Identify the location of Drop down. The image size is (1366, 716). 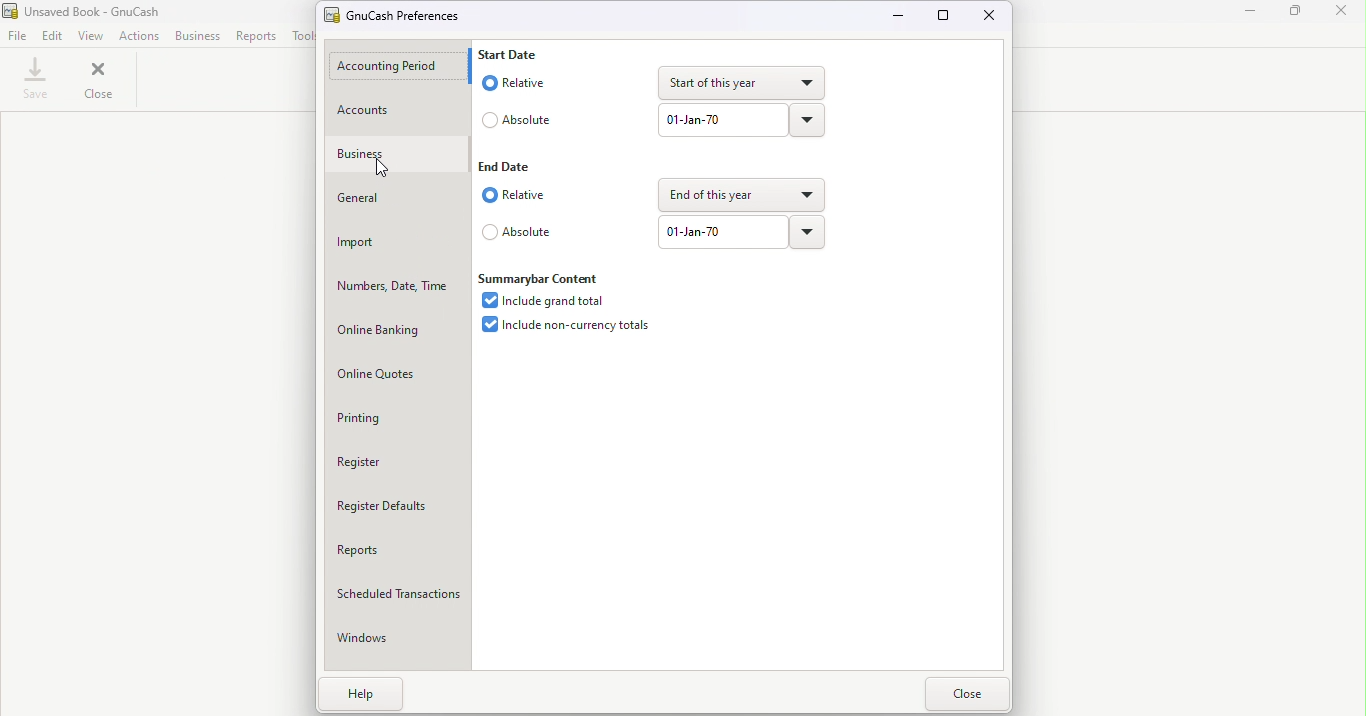
(741, 193).